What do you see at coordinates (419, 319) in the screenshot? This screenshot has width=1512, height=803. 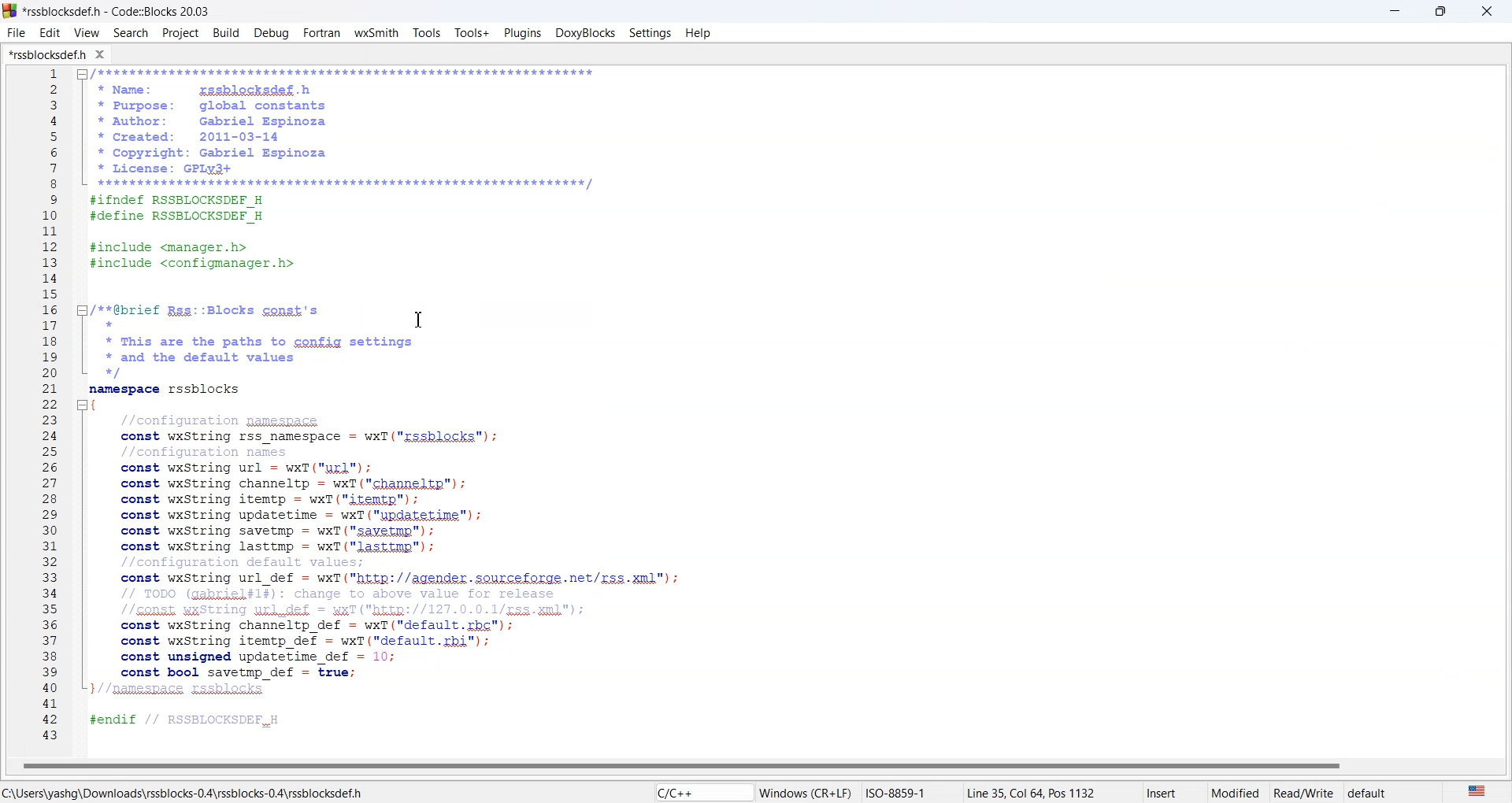 I see `Text Cursor` at bounding box center [419, 319].